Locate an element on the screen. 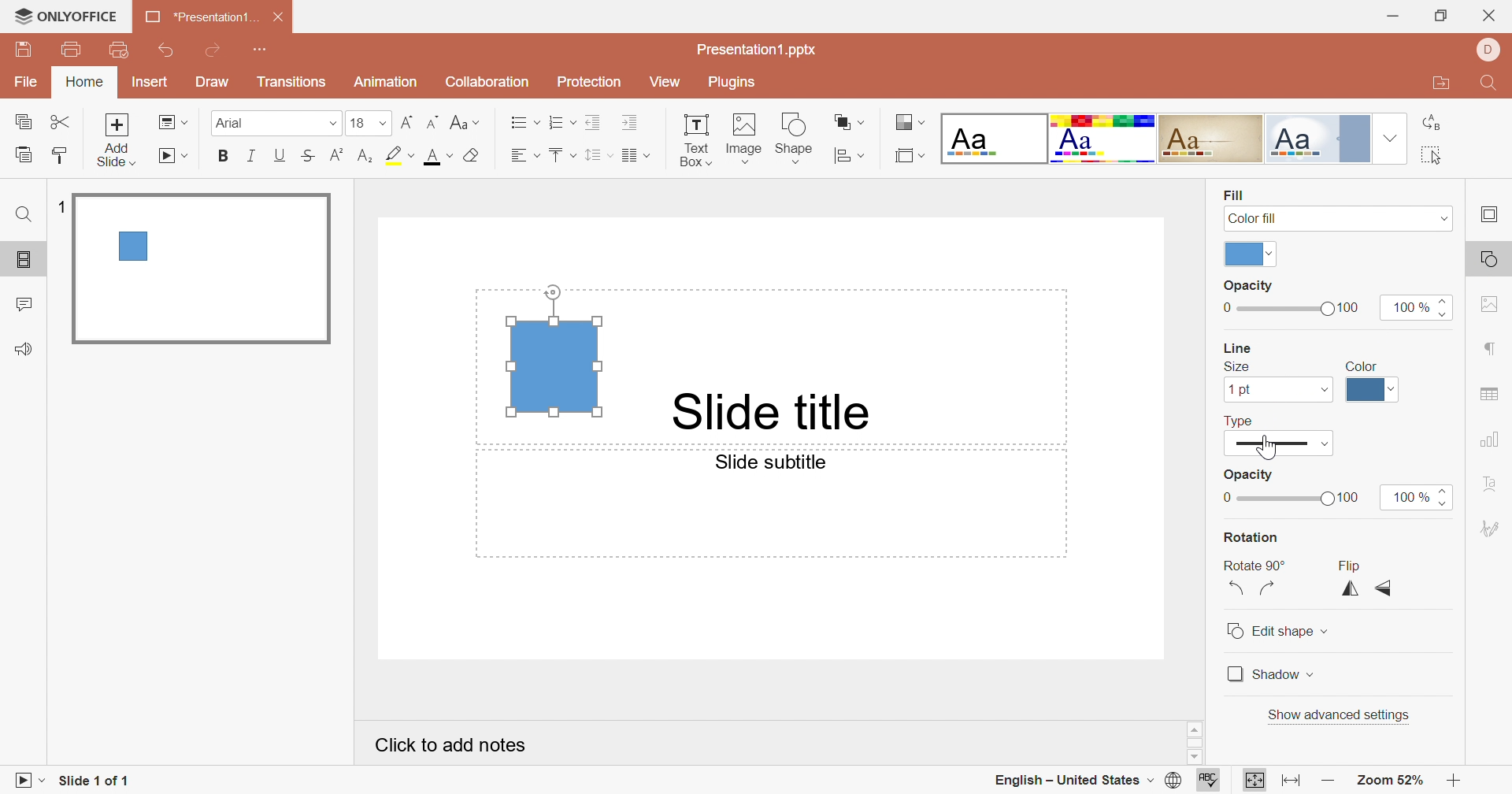  Scroll down is located at coordinates (1456, 759).